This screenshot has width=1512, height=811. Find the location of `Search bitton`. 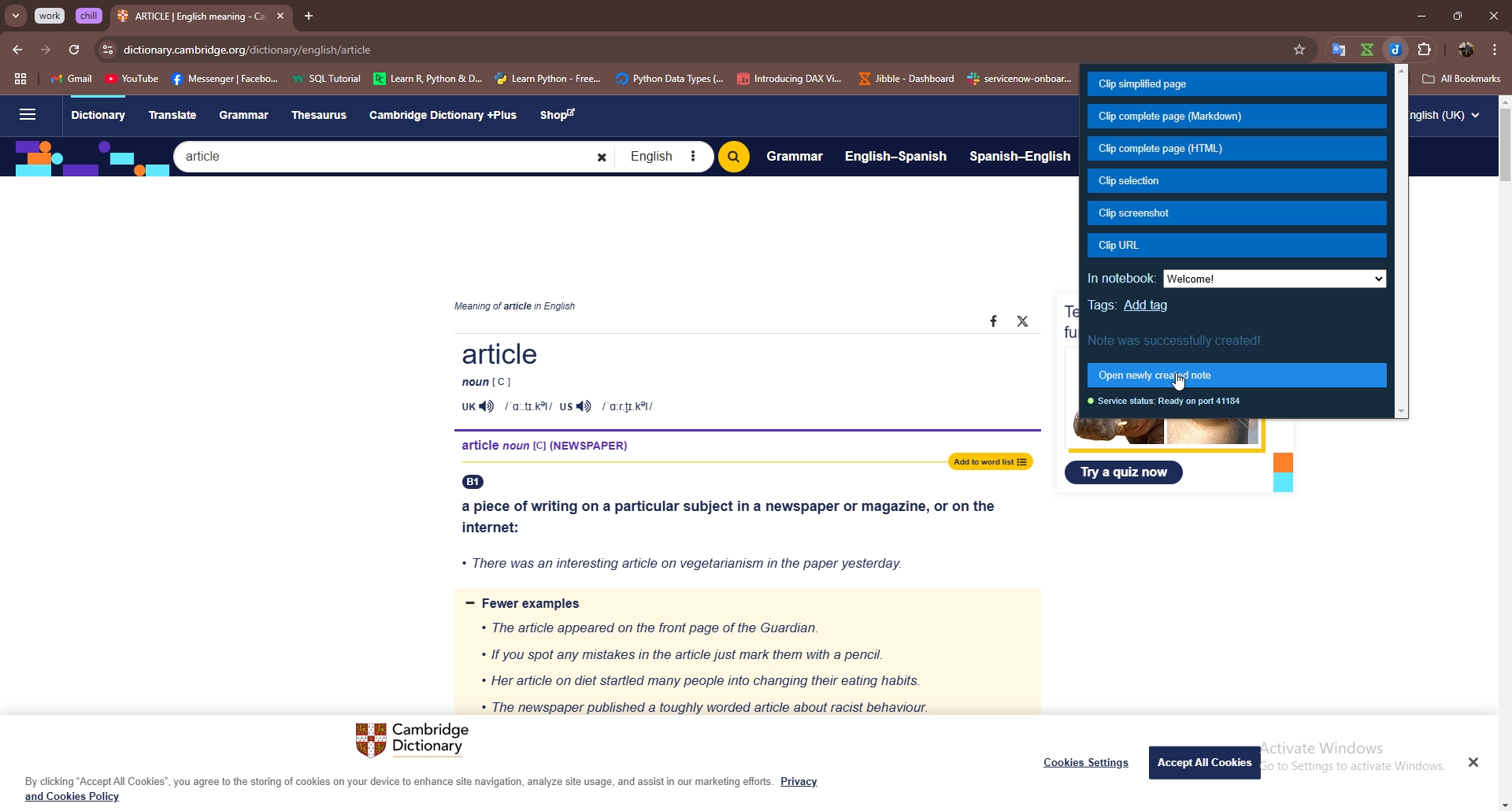

Search bitton is located at coordinates (733, 157).